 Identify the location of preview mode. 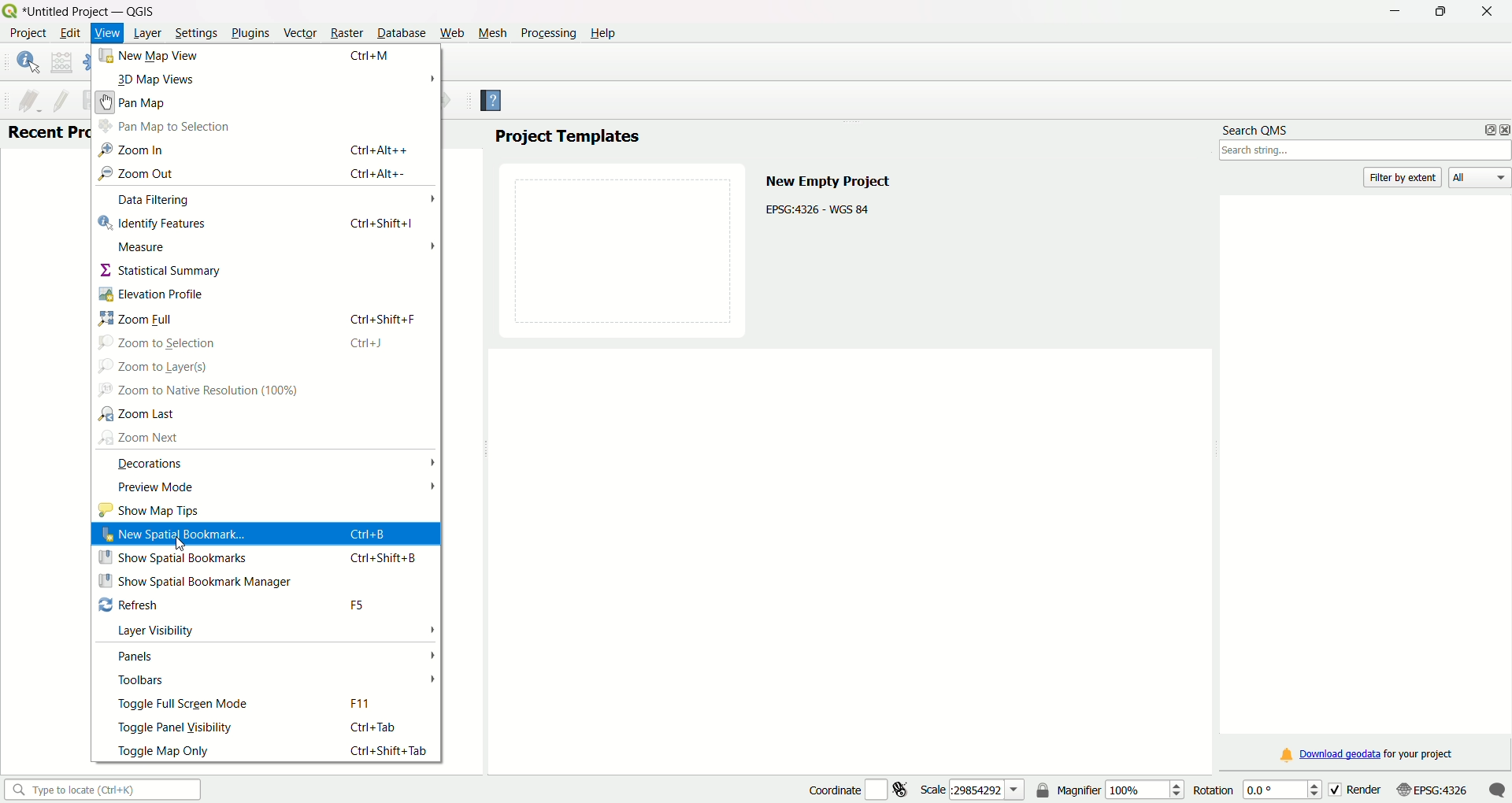
(156, 486).